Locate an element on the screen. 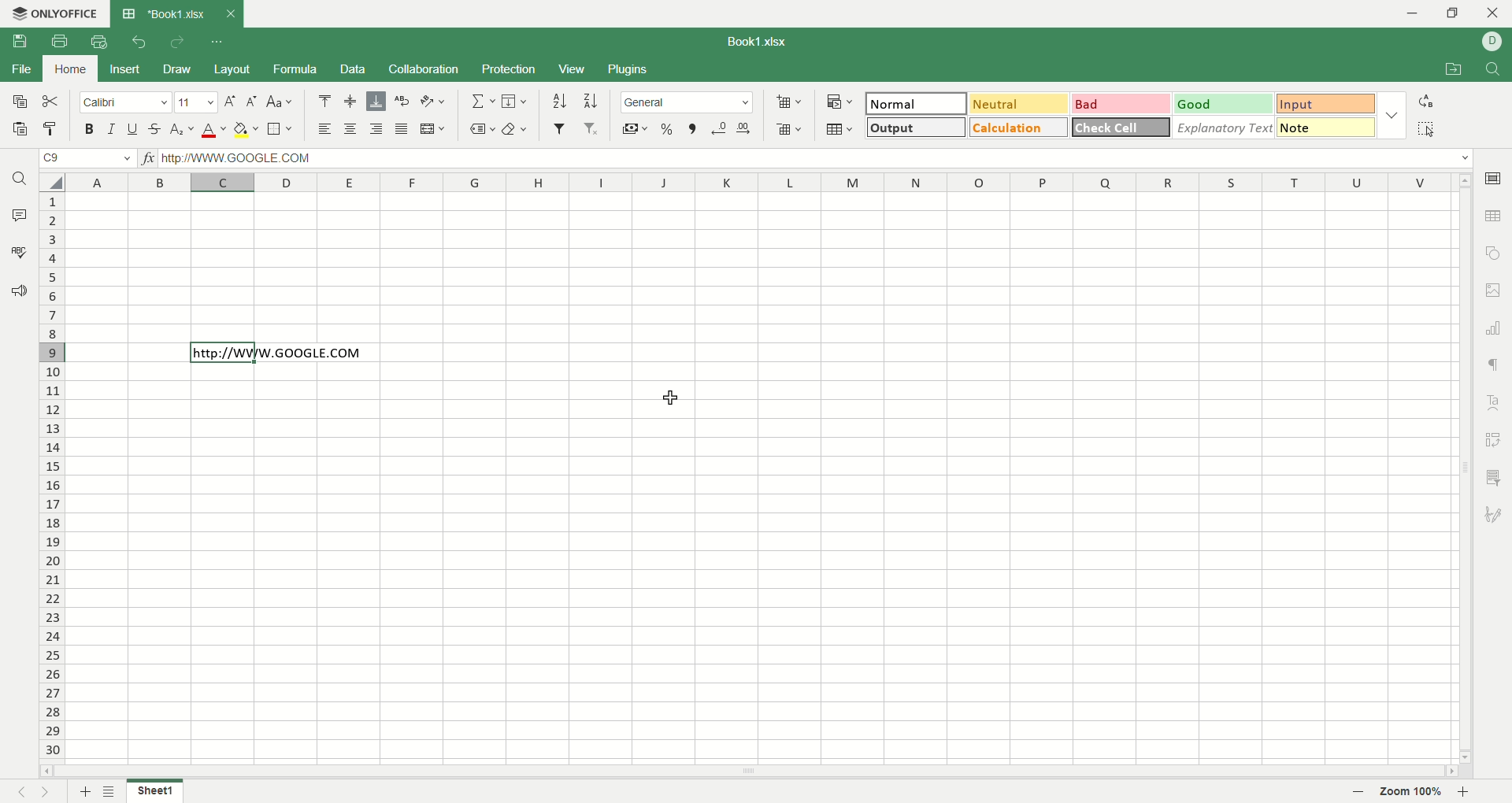 The image size is (1512, 803). fill is located at coordinates (515, 99).